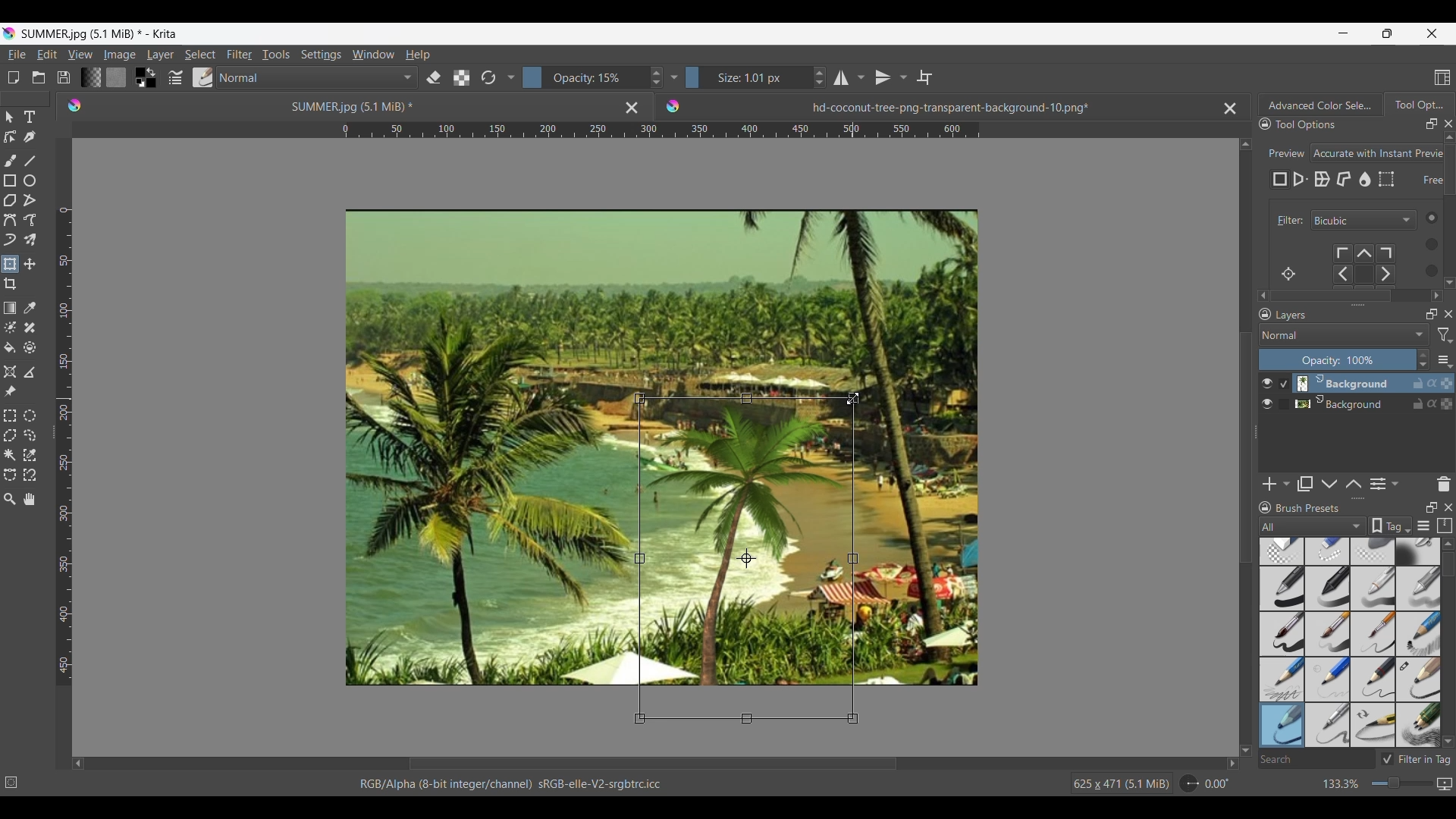  What do you see at coordinates (1329, 724) in the screenshot?
I see `pencil 5-tilted` at bounding box center [1329, 724].